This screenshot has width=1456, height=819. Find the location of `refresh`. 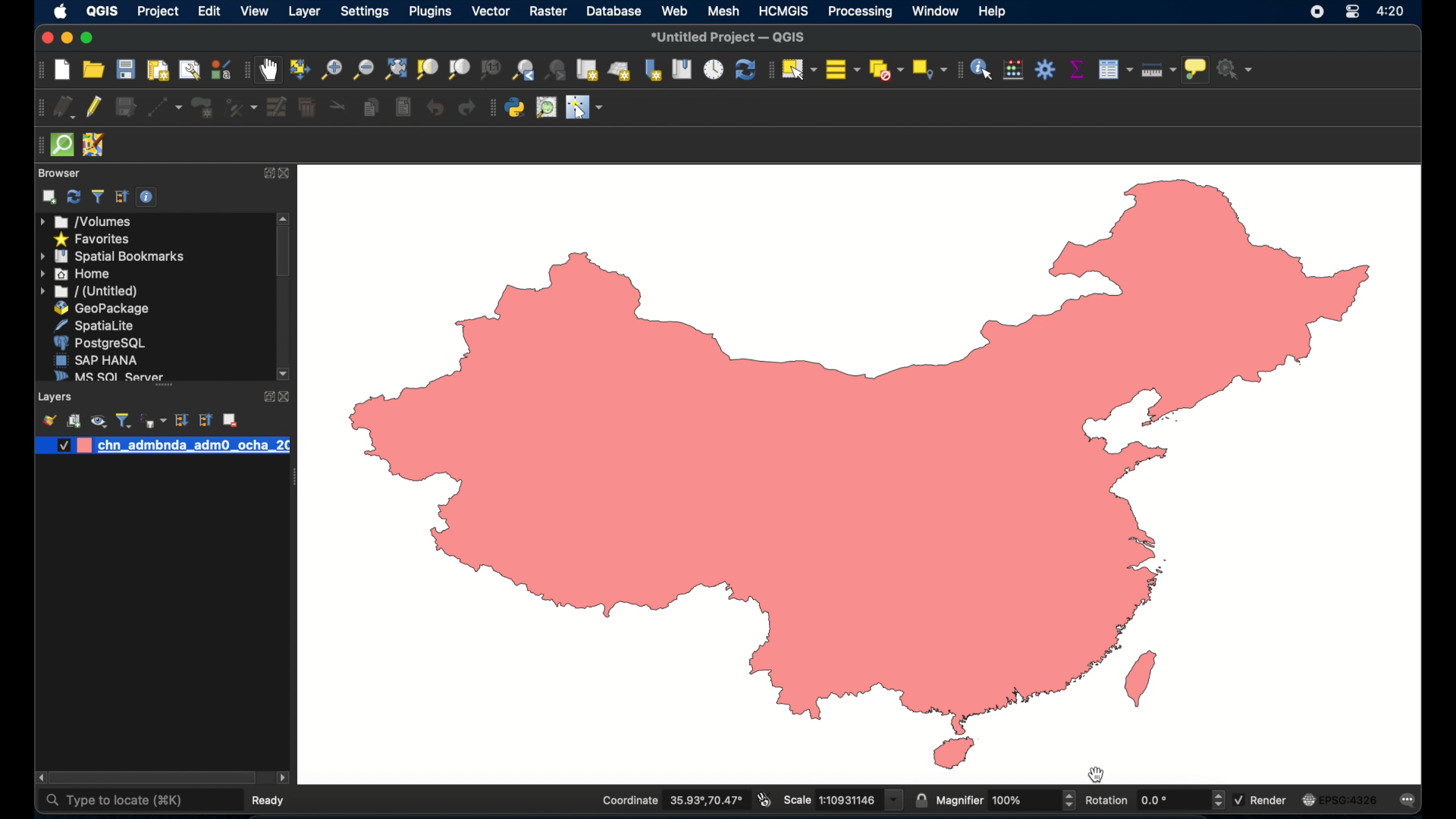

refresh is located at coordinates (74, 196).